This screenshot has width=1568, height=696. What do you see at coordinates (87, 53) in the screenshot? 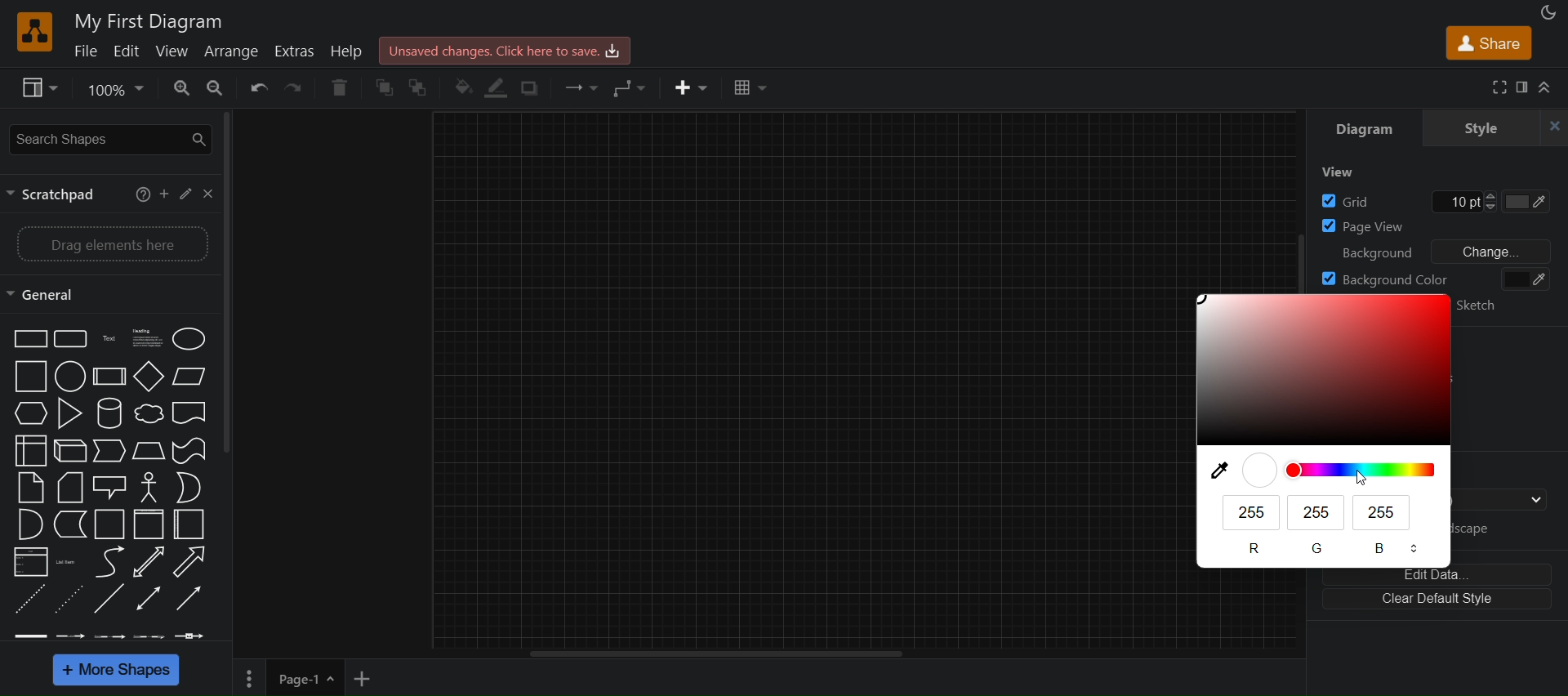
I see `file` at bounding box center [87, 53].